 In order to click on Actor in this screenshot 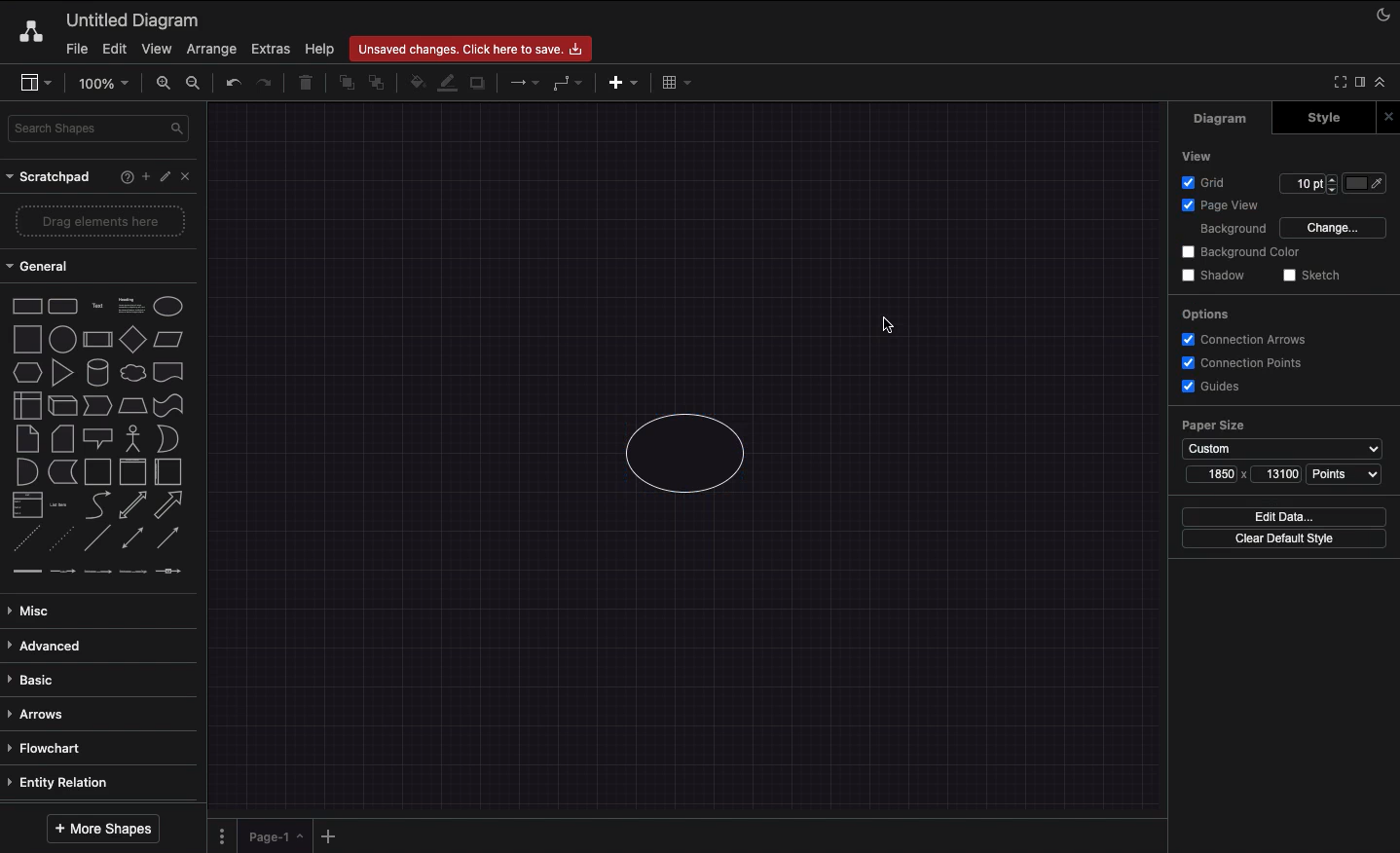, I will do `click(133, 436)`.